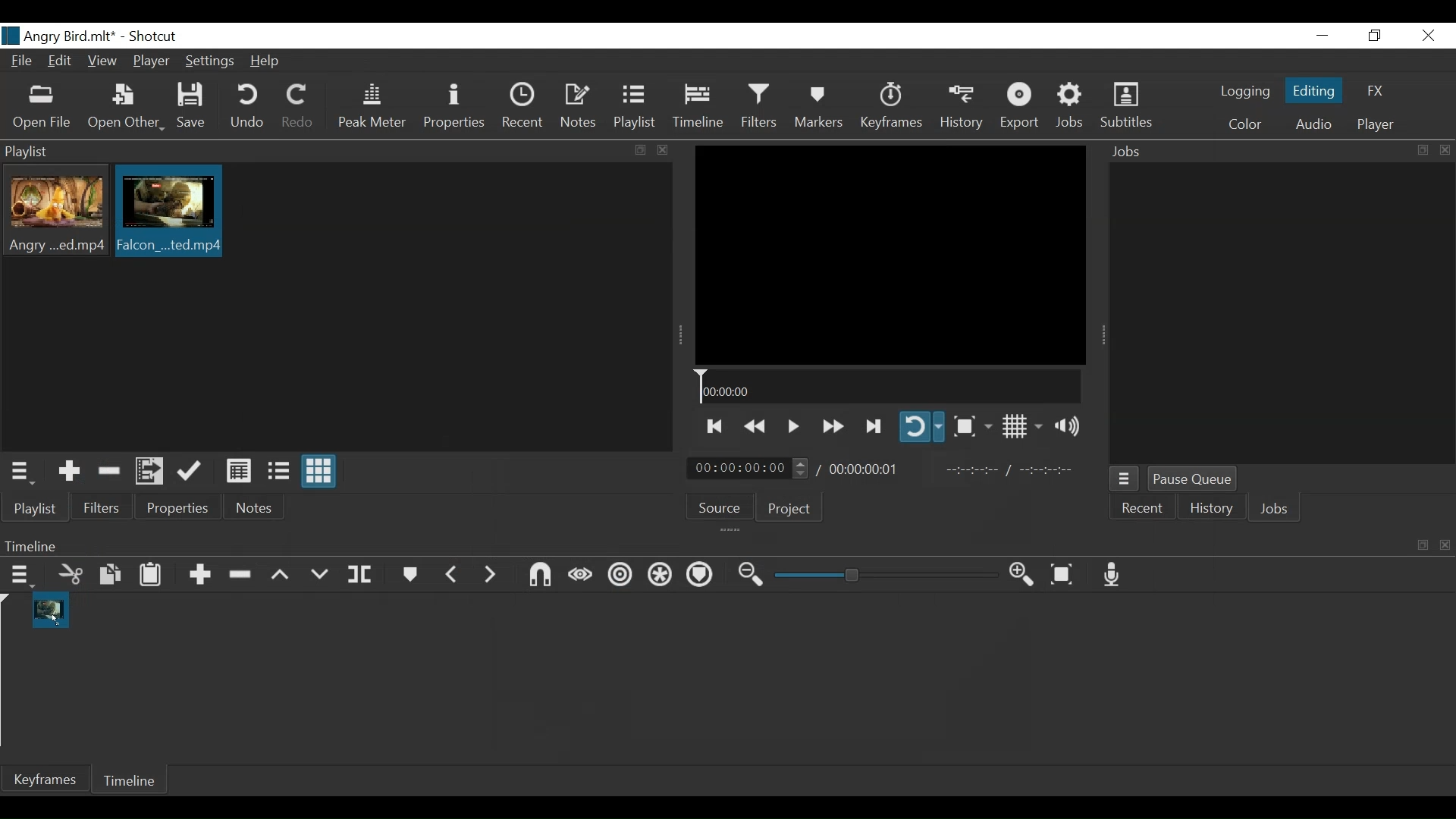 This screenshot has height=819, width=1456. I want to click on Undo, so click(249, 106).